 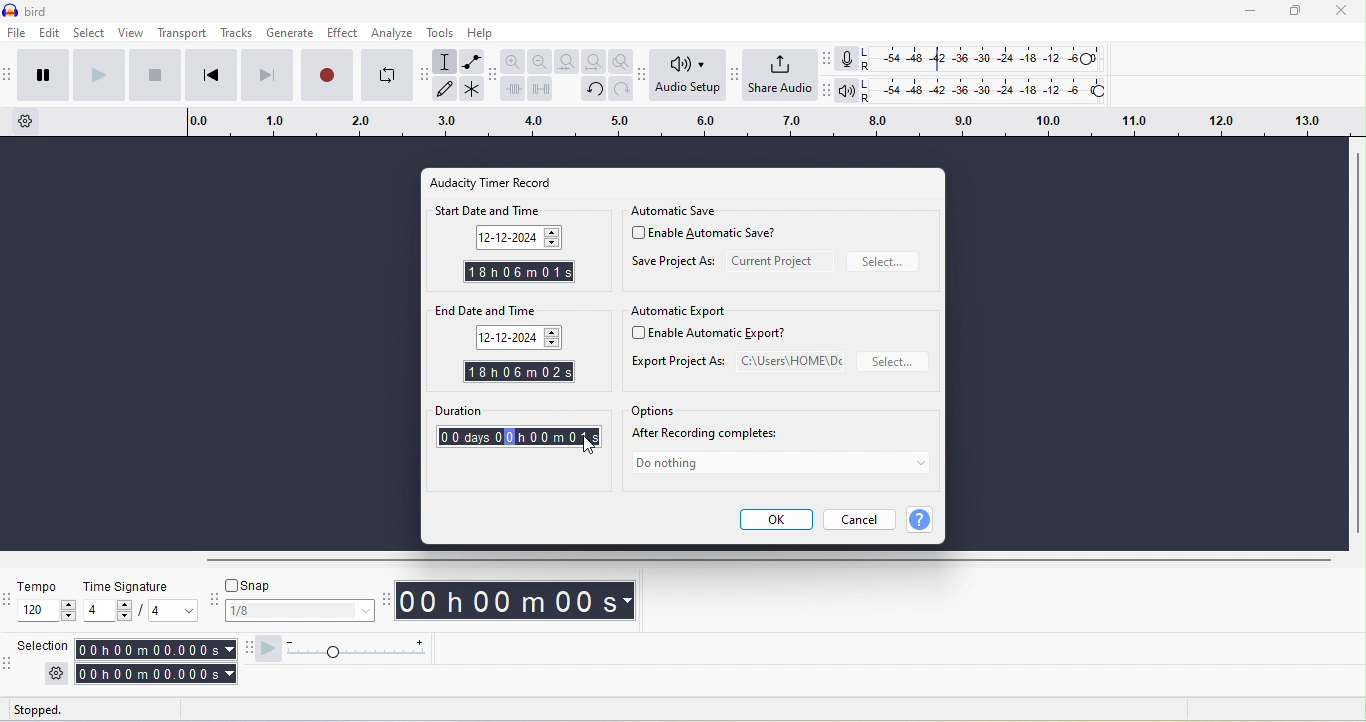 I want to click on audacity share audio toolbar, so click(x=735, y=73).